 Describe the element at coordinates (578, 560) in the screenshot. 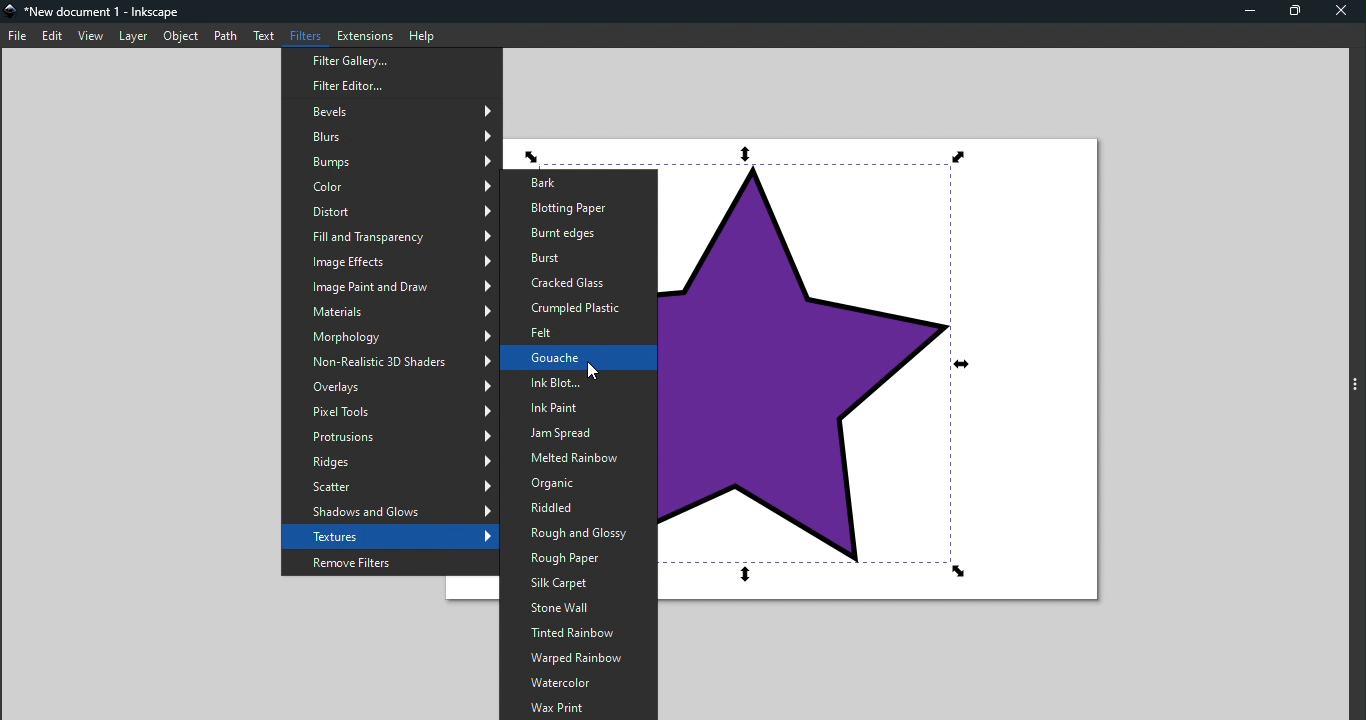

I see `Rough paper` at that location.